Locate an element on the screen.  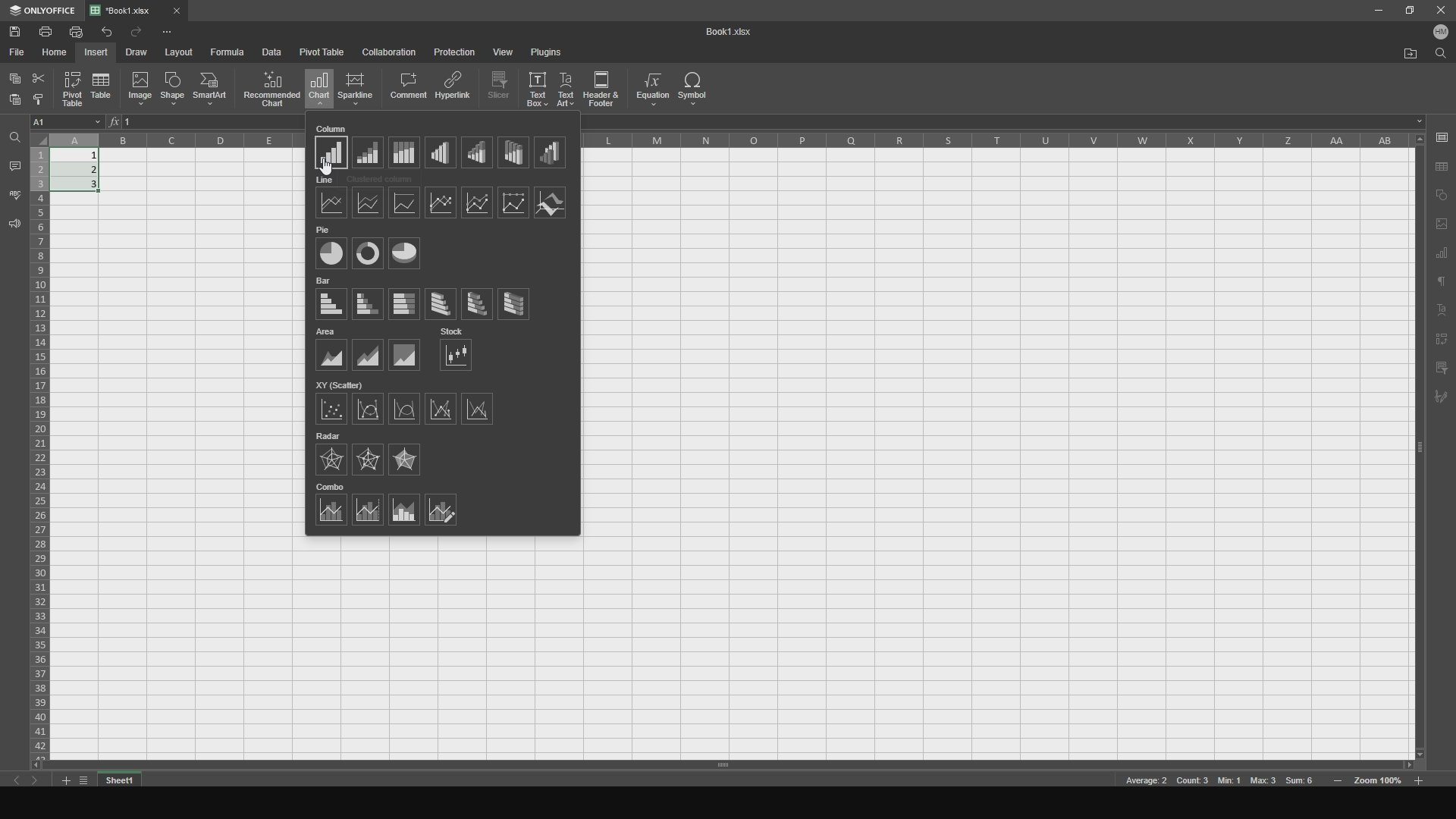
vertical slider is located at coordinates (1420, 459).